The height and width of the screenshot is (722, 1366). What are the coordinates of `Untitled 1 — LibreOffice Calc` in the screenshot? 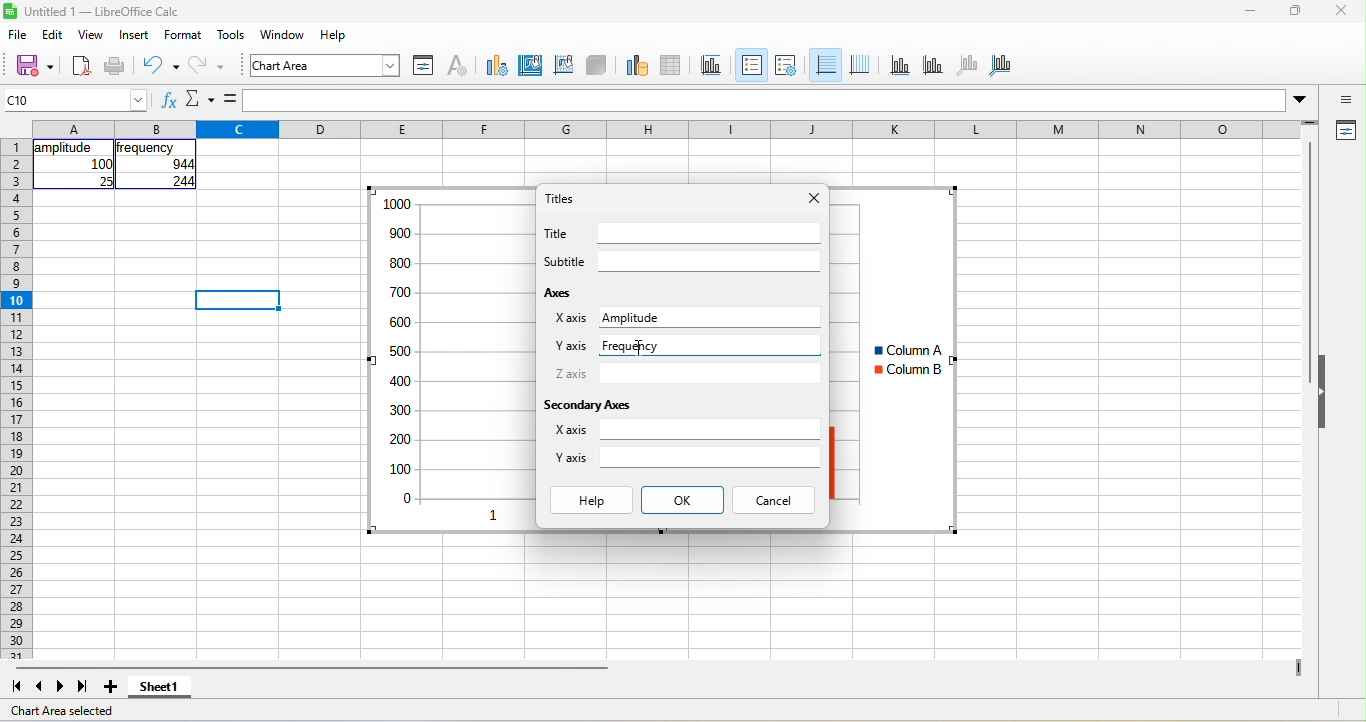 It's located at (103, 12).